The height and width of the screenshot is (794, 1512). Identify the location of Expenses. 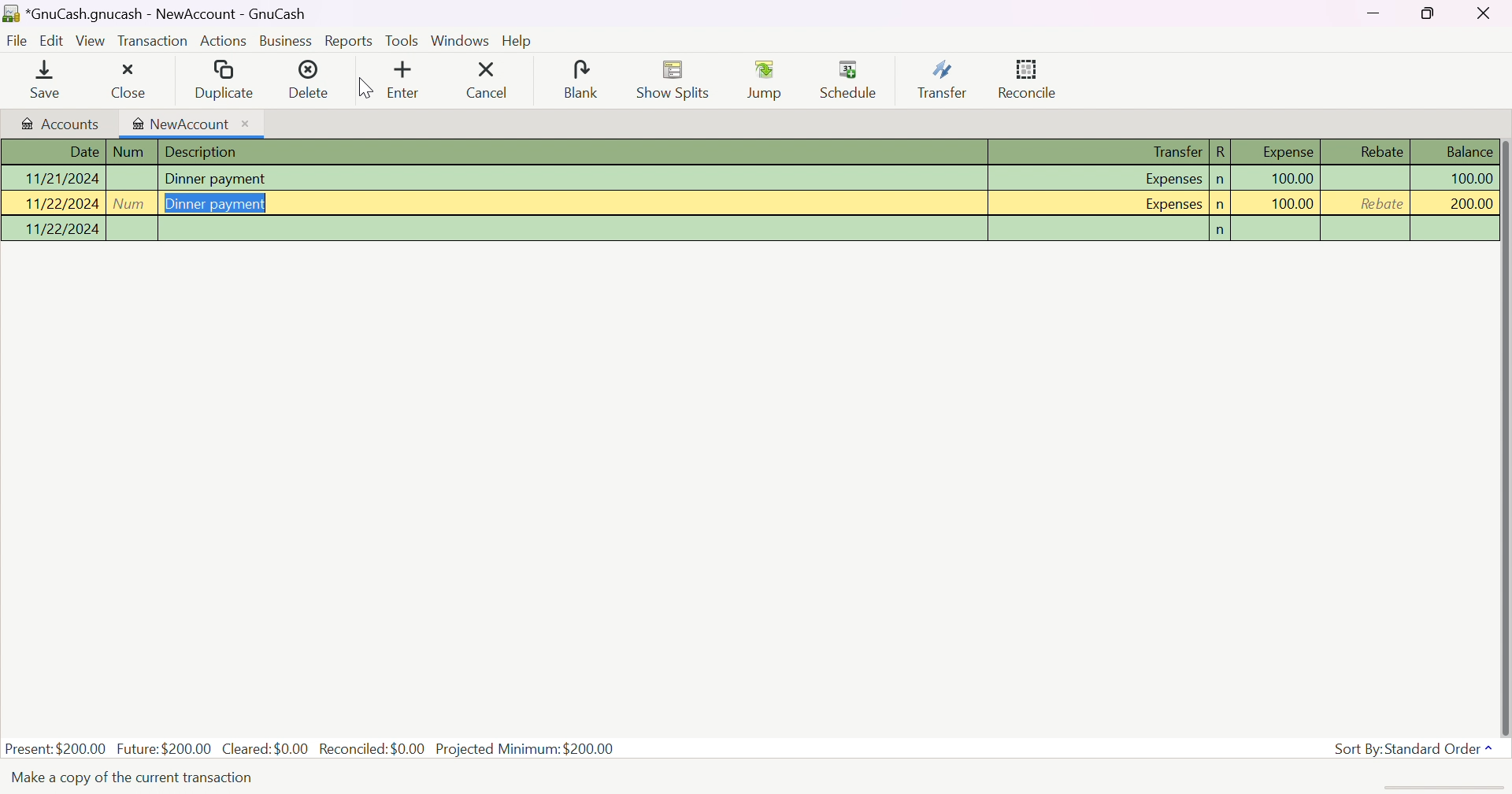
(1169, 203).